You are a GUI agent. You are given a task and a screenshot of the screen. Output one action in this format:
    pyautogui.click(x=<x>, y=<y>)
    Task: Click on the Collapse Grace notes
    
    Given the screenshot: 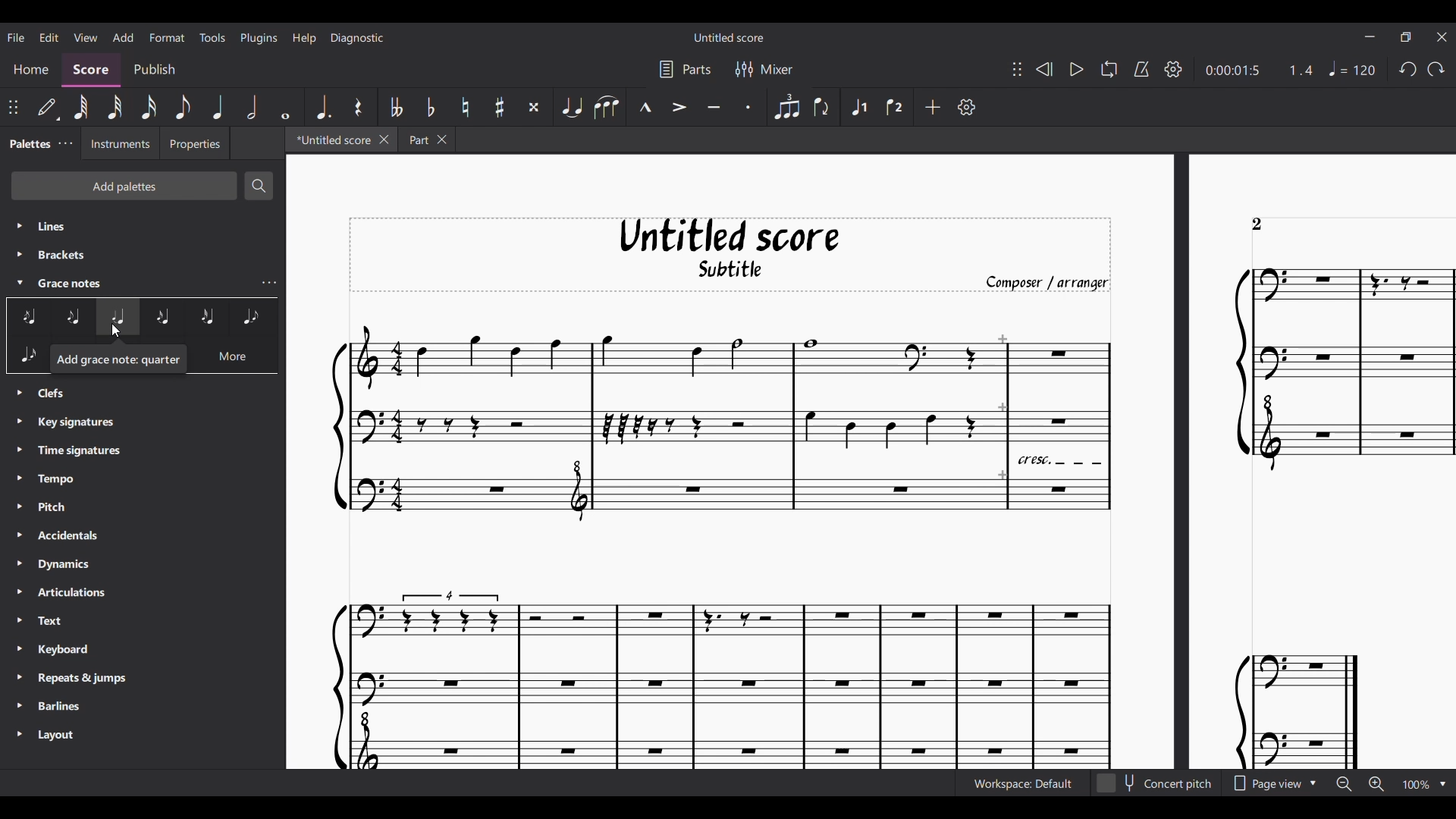 What is the action you would take?
    pyautogui.click(x=20, y=282)
    